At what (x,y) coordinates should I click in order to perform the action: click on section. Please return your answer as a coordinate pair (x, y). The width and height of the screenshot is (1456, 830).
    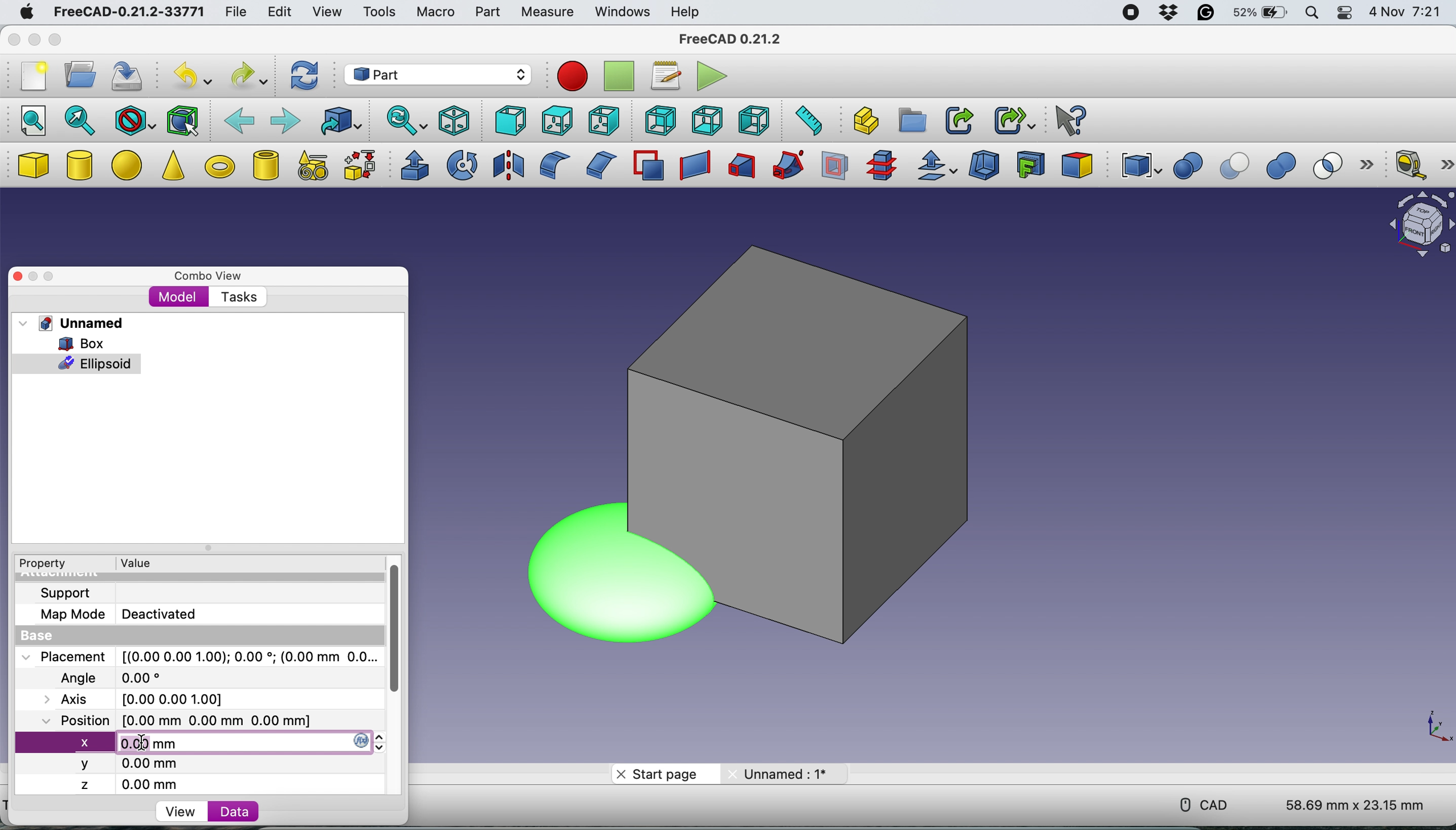
    Looking at the image, I should click on (835, 169).